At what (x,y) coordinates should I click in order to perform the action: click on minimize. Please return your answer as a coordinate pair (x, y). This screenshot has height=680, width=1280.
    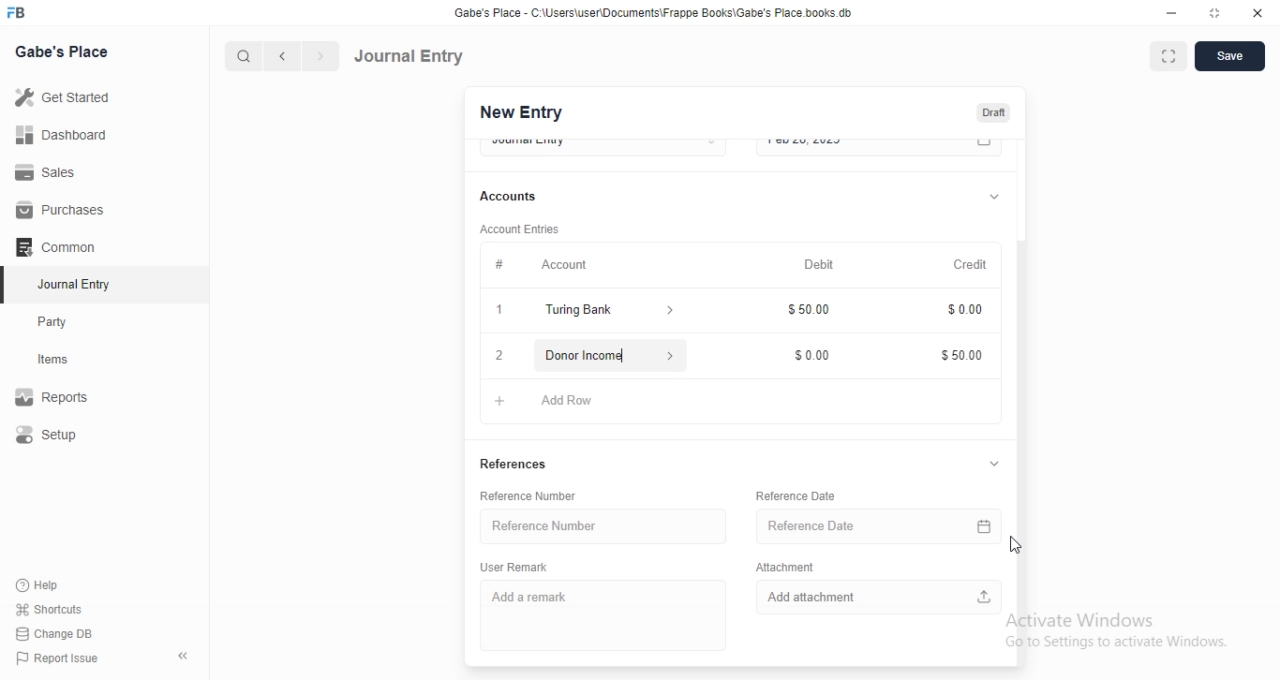
    Looking at the image, I should click on (1170, 16).